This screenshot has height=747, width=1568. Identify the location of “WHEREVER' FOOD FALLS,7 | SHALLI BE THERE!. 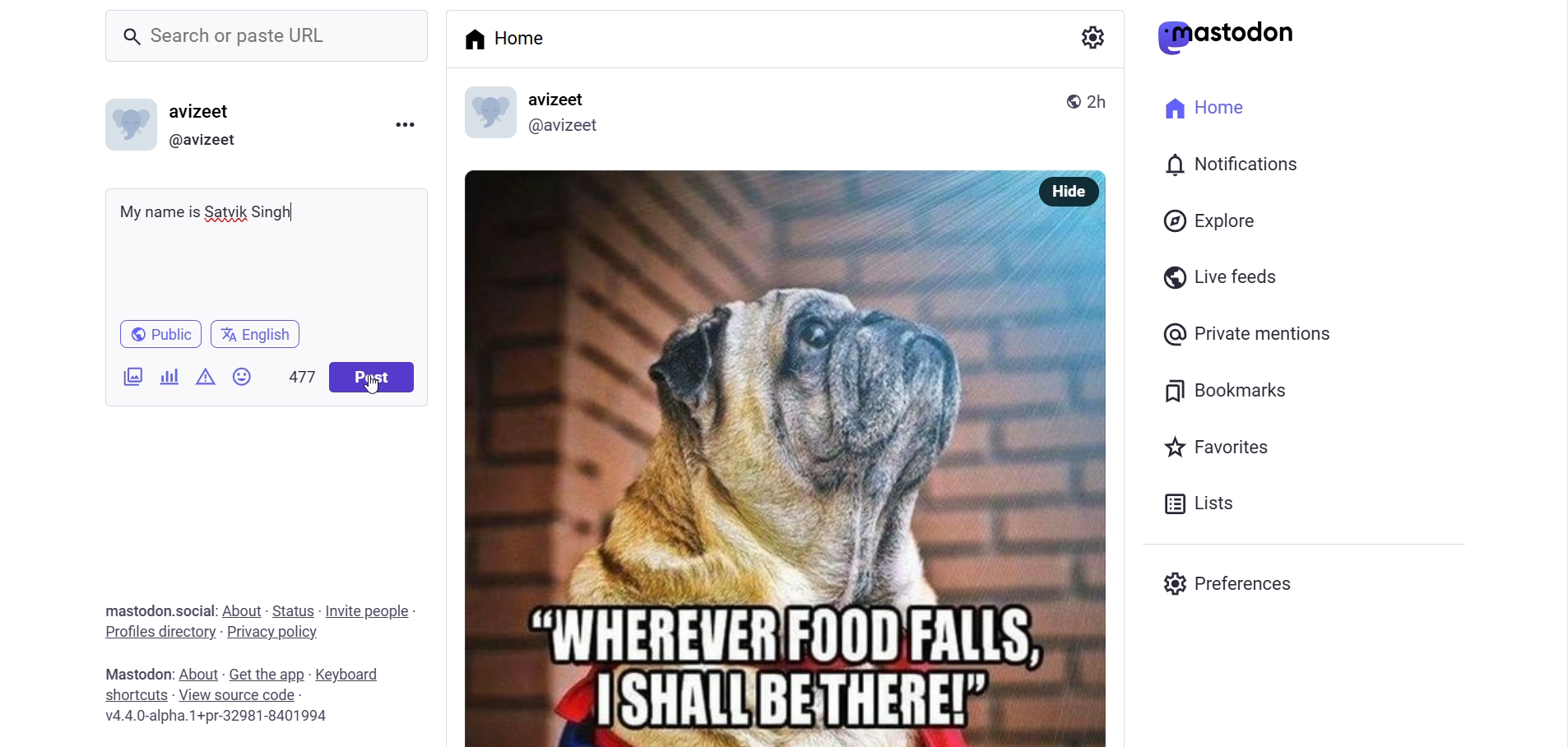
(772, 477).